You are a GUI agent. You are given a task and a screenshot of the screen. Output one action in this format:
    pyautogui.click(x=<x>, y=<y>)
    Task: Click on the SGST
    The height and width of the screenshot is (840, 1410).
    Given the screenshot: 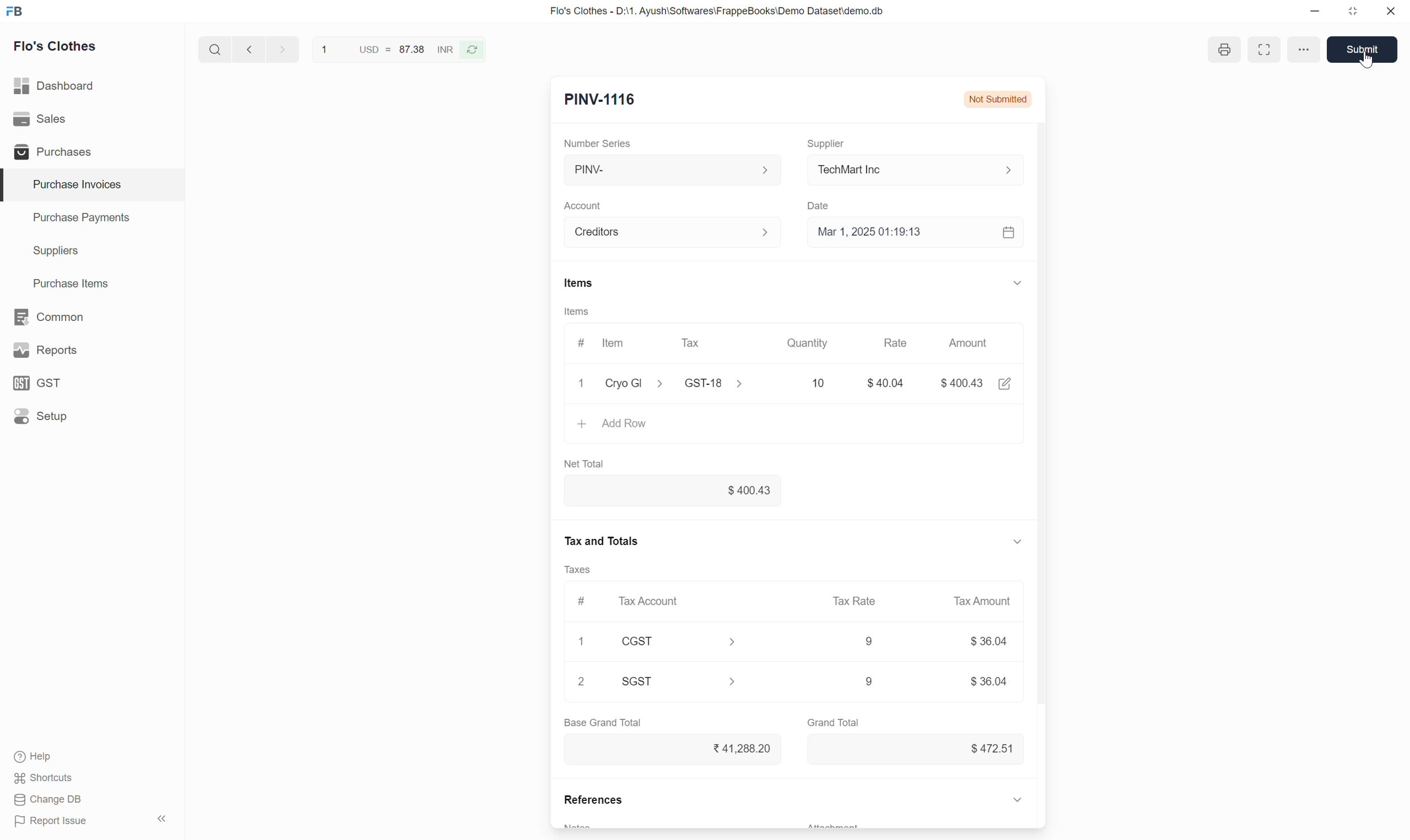 What is the action you would take?
    pyautogui.click(x=687, y=681)
    